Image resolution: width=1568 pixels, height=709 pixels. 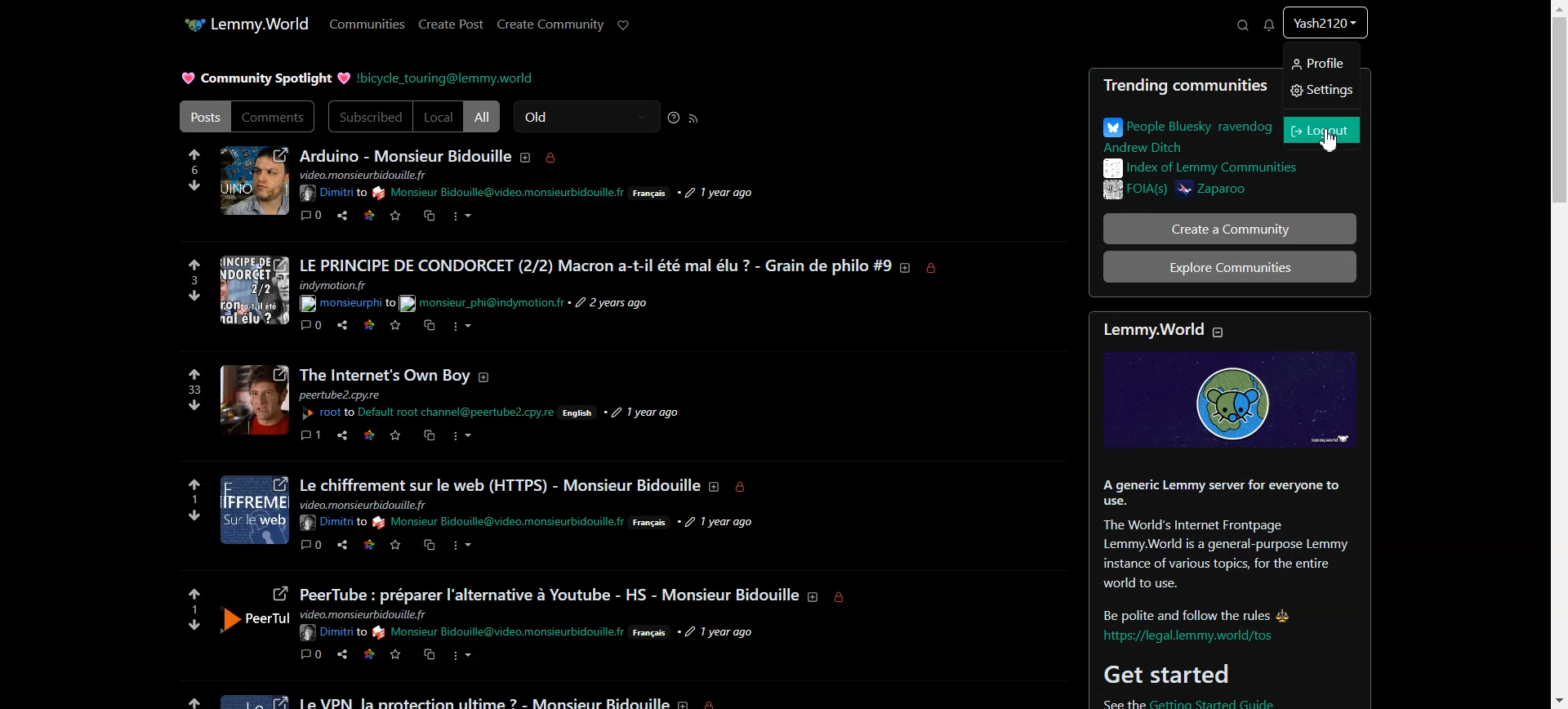 I want to click on locked, so click(x=748, y=489).